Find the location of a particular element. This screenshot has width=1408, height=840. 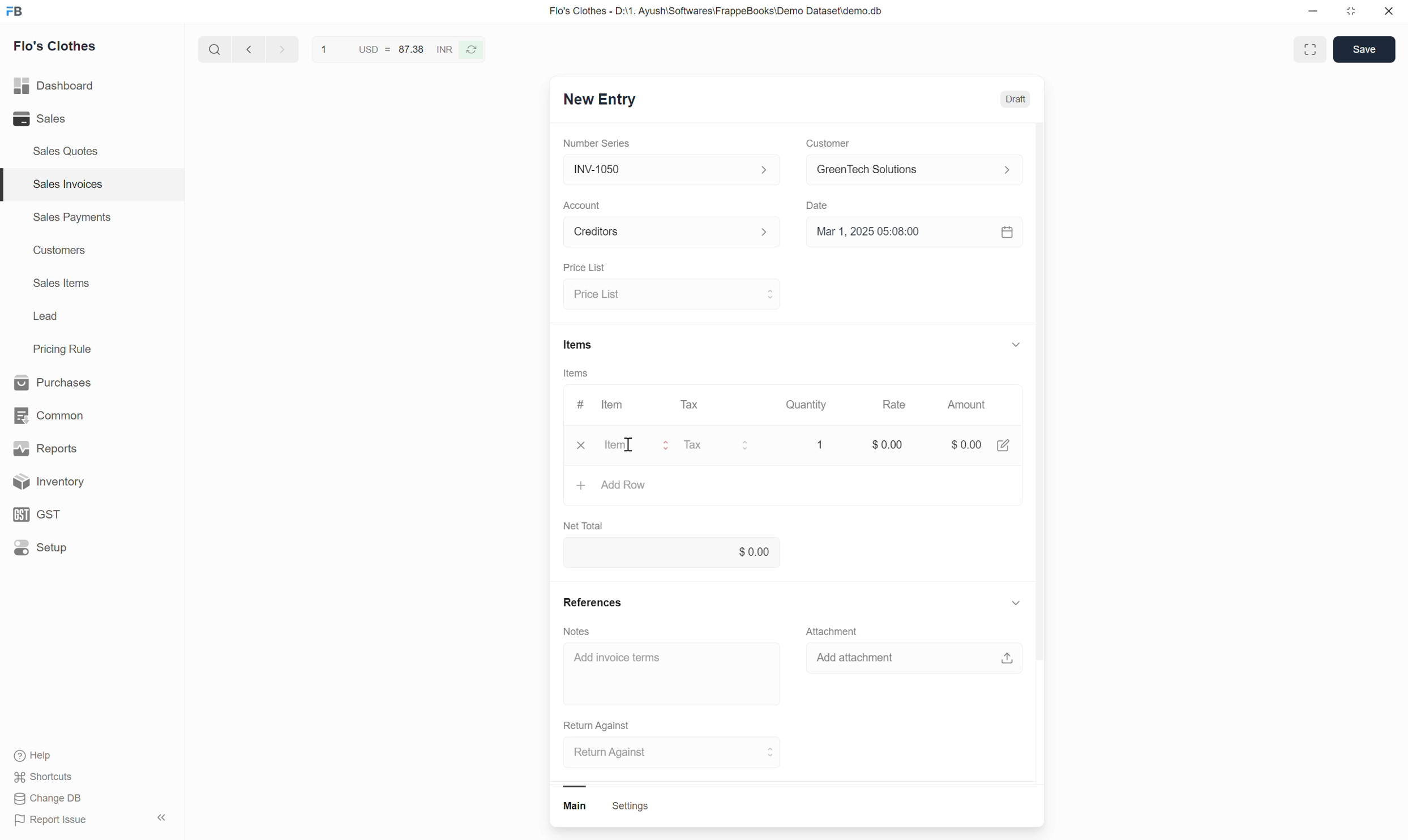

Help is located at coordinates (59, 755).